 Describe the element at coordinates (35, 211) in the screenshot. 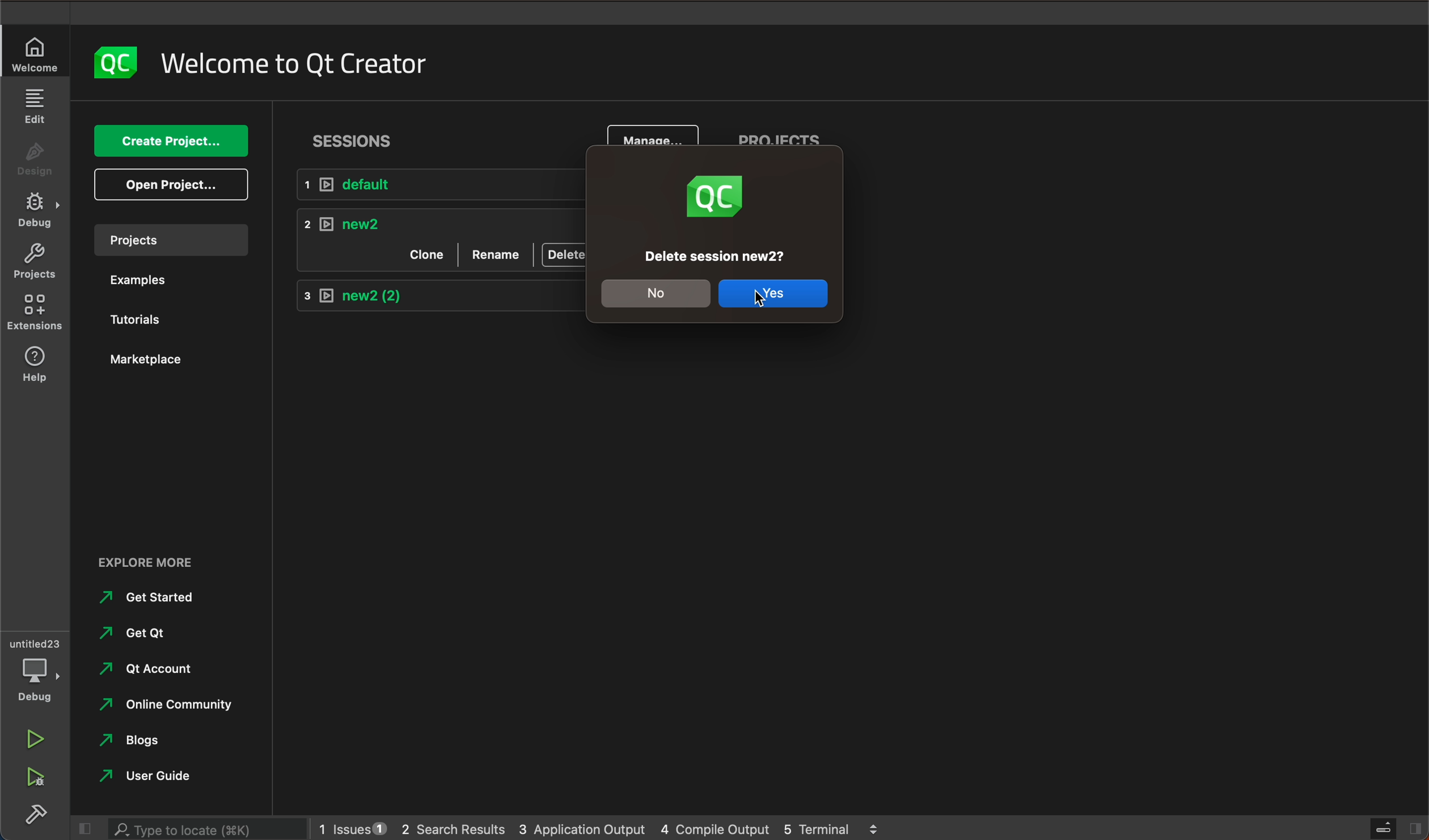

I see `debug` at that location.